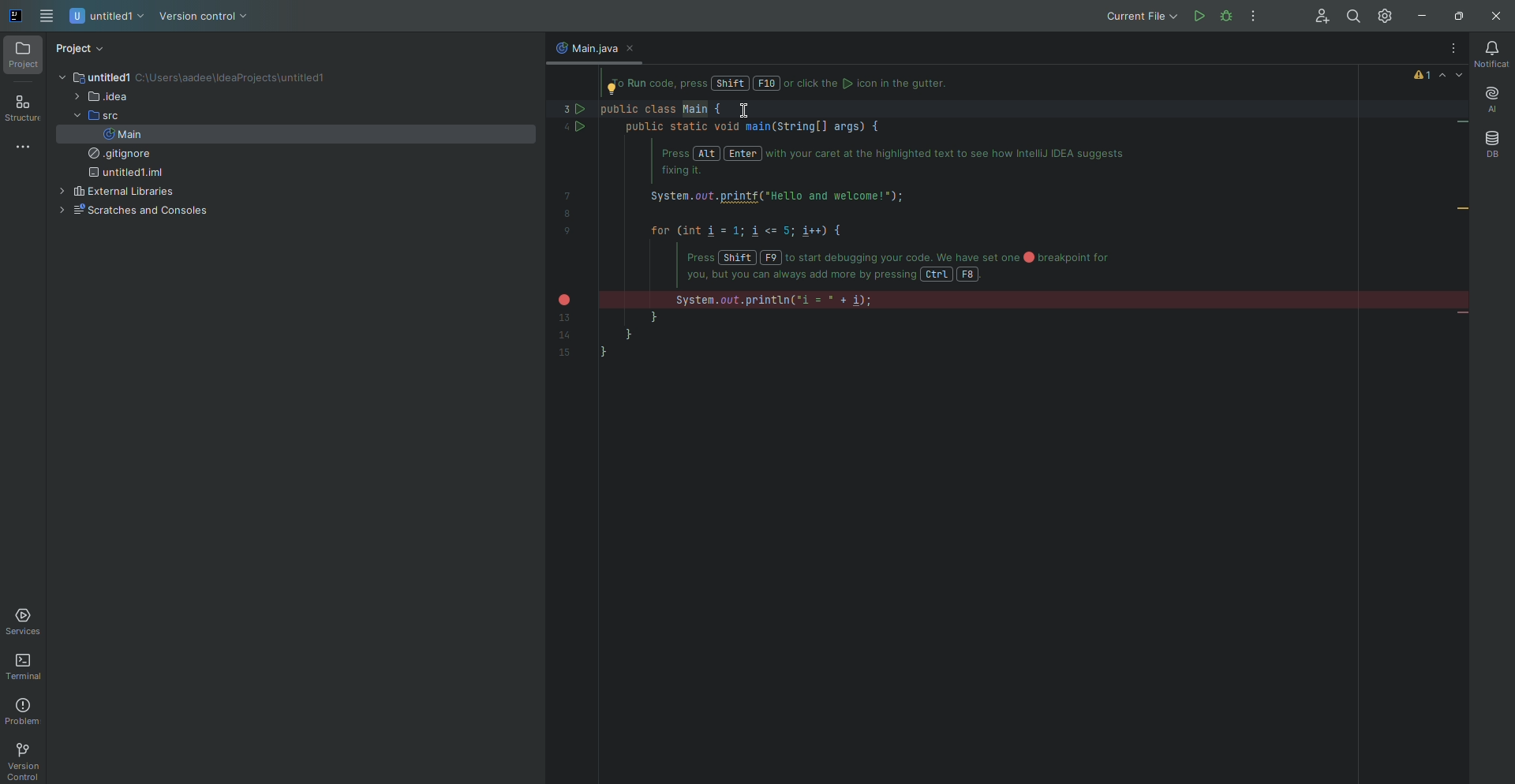 The width and height of the screenshot is (1515, 784). Describe the element at coordinates (635, 49) in the screenshot. I see `close` at that location.